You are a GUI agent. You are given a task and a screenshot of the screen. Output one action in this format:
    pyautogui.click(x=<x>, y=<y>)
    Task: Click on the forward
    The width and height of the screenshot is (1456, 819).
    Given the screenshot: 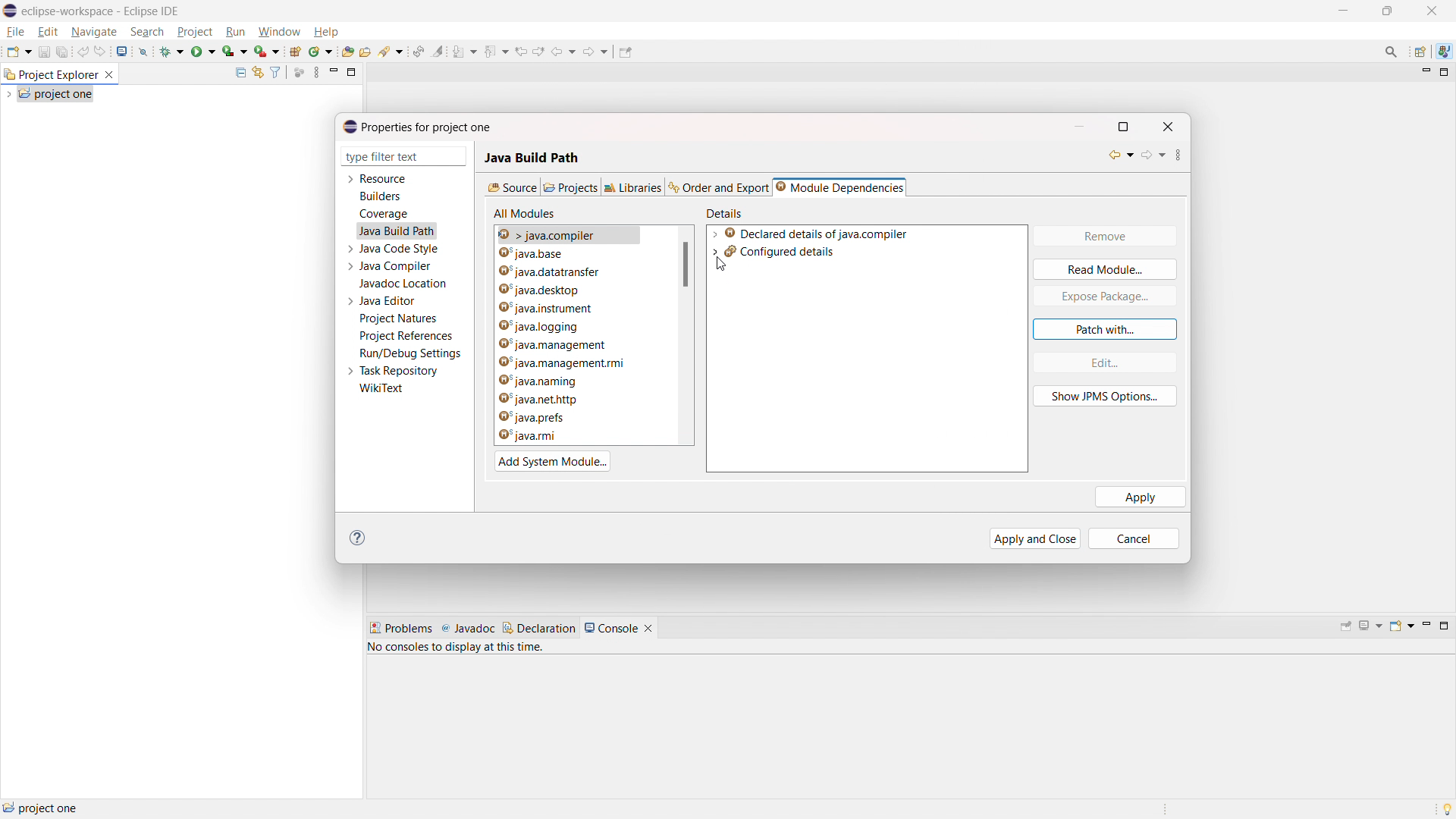 What is the action you would take?
    pyautogui.click(x=597, y=51)
    